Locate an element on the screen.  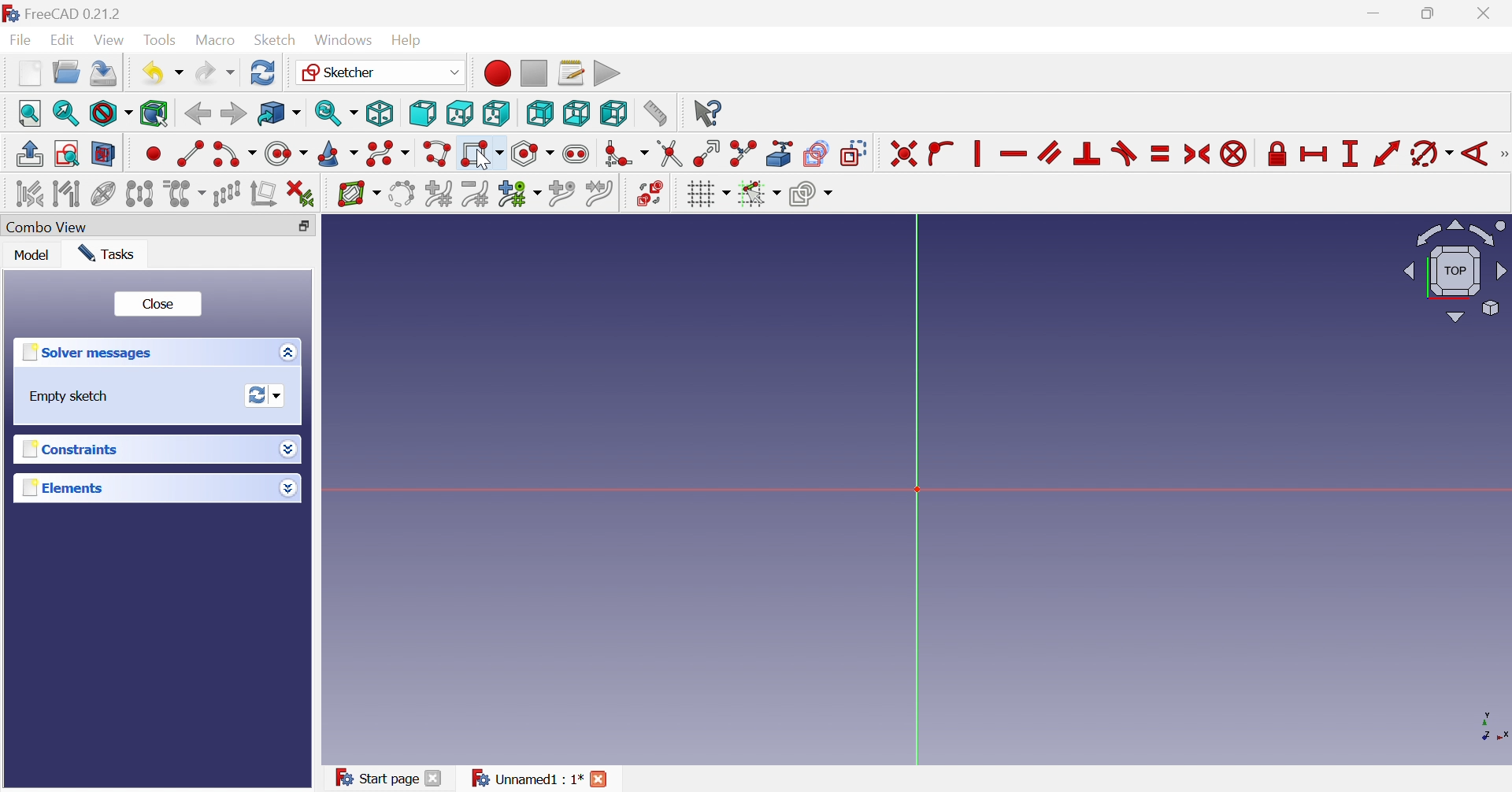
Select associated constraints is located at coordinates (28, 194).